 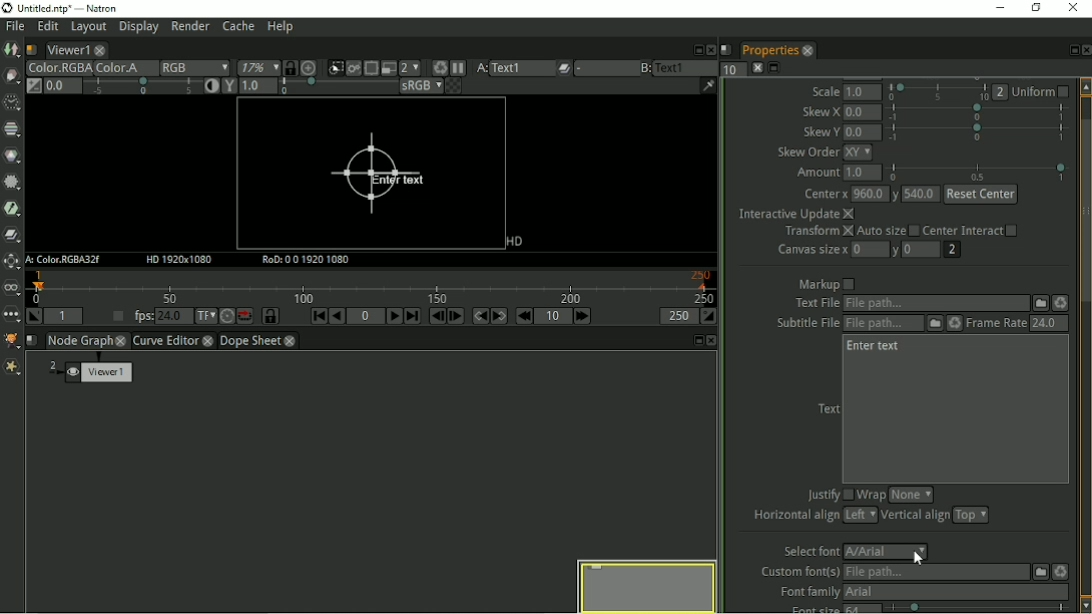 I want to click on Preview, so click(x=644, y=584).